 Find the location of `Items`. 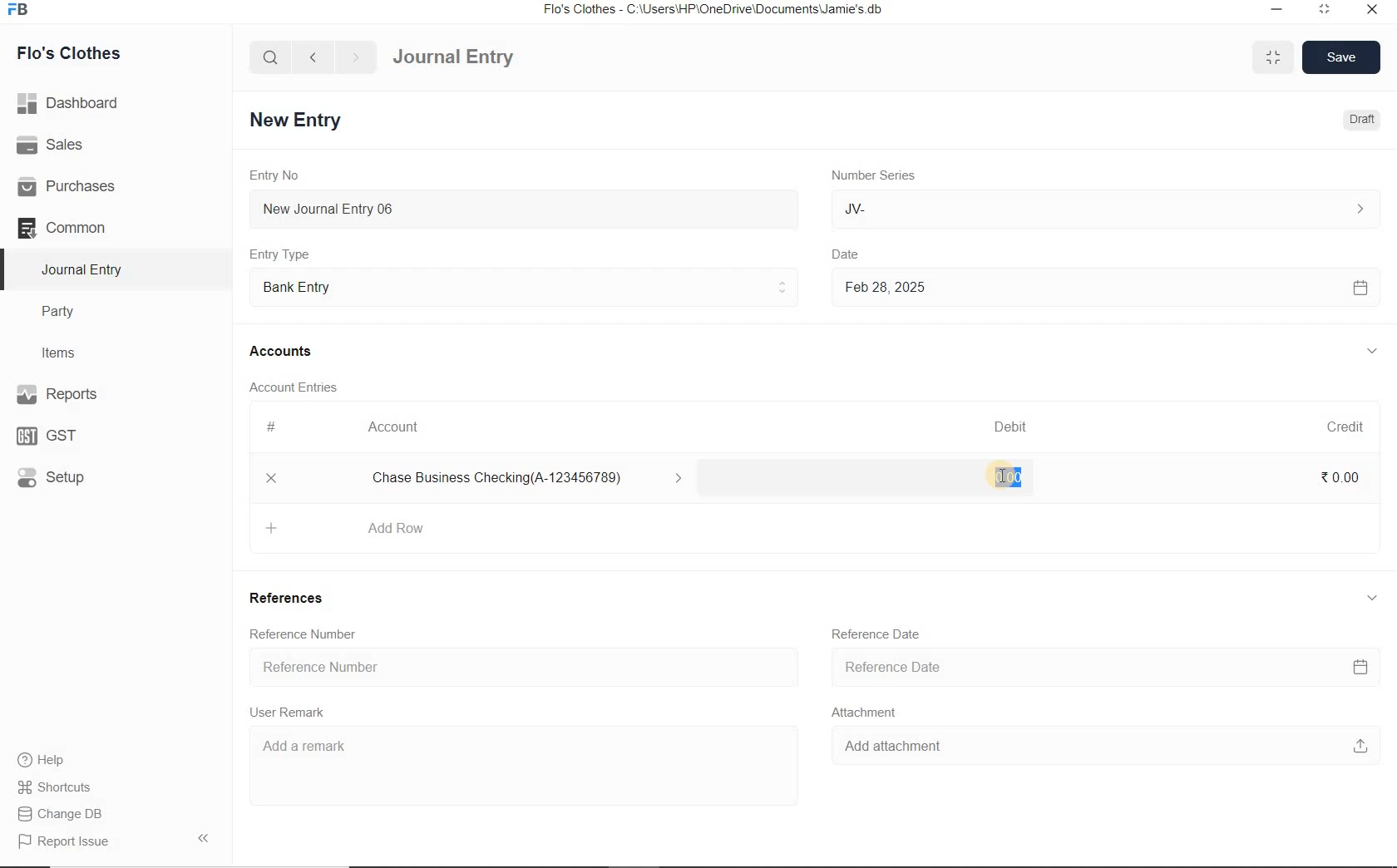

Items is located at coordinates (67, 351).